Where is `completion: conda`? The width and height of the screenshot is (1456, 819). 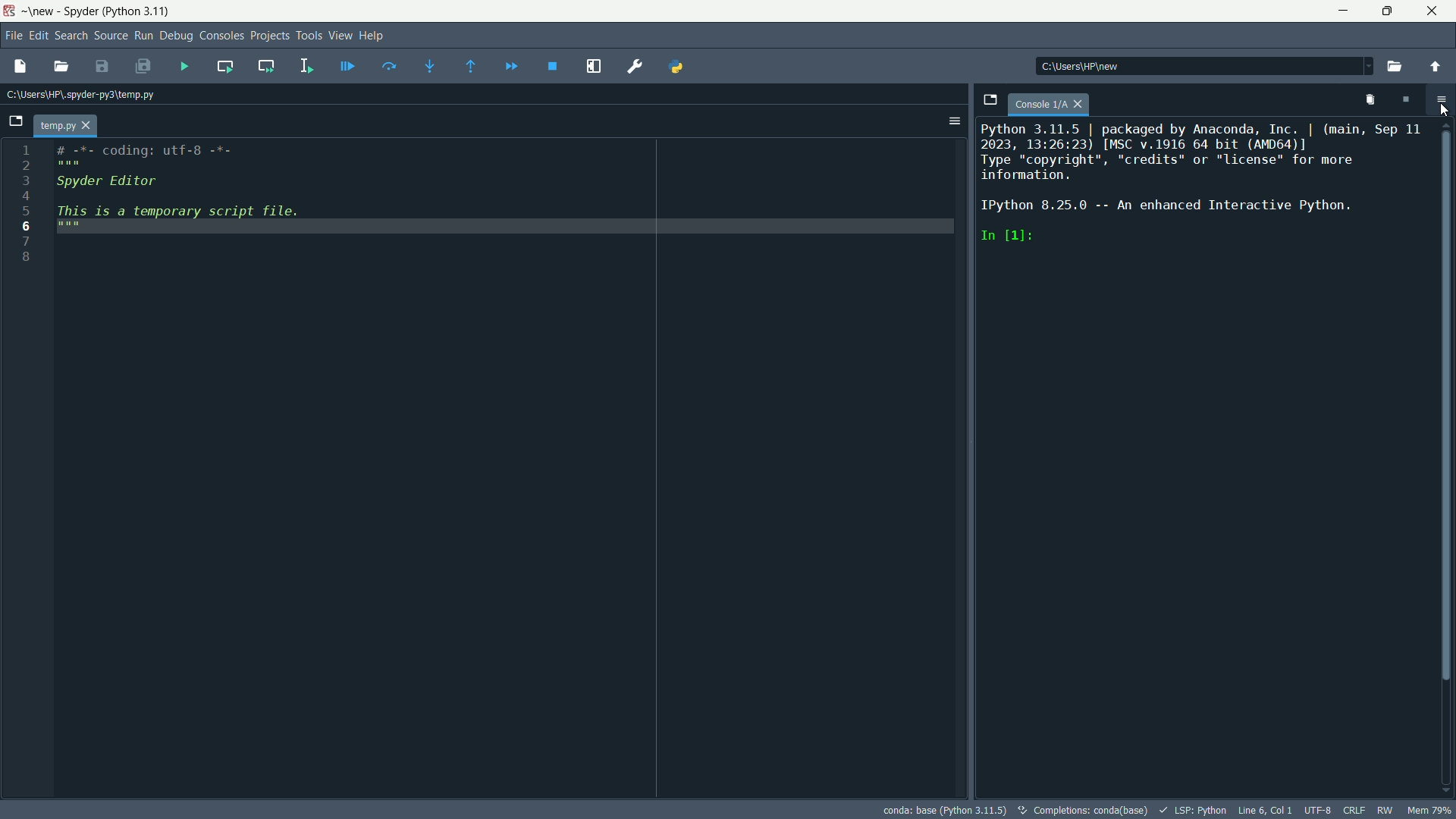
completion: conda is located at coordinates (1080, 810).